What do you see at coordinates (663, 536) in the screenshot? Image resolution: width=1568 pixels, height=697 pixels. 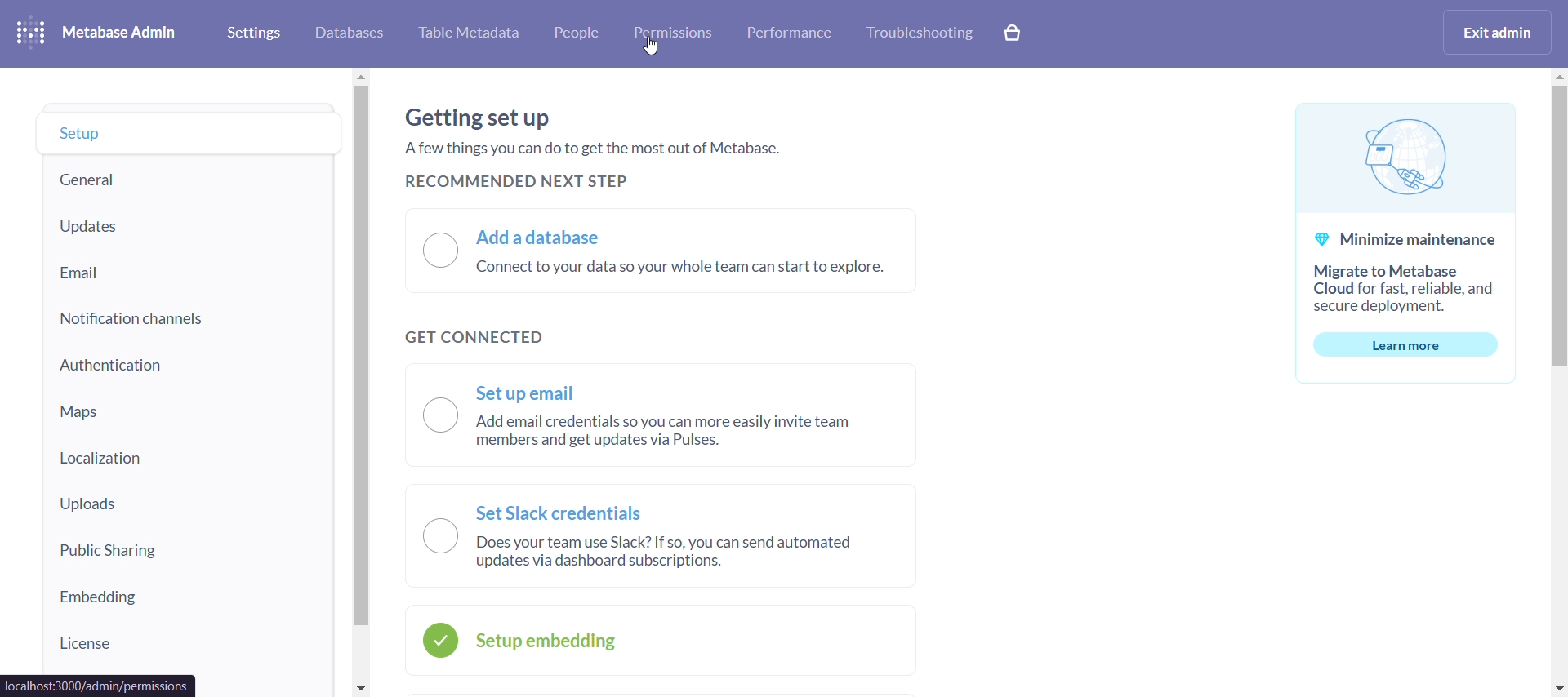 I see `set slack credentials` at bounding box center [663, 536].